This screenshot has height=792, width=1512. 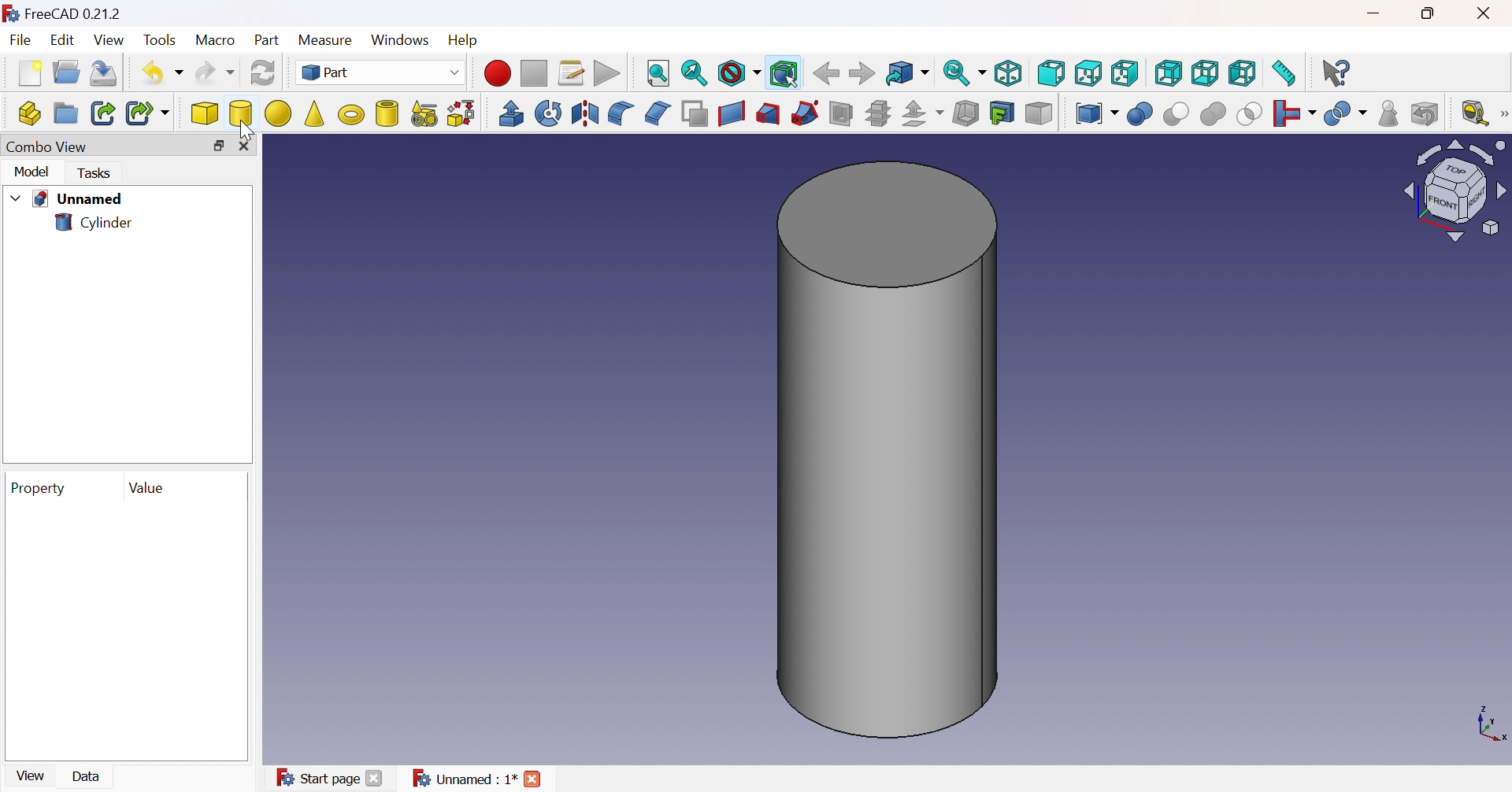 I want to click on Close, so click(x=248, y=147).